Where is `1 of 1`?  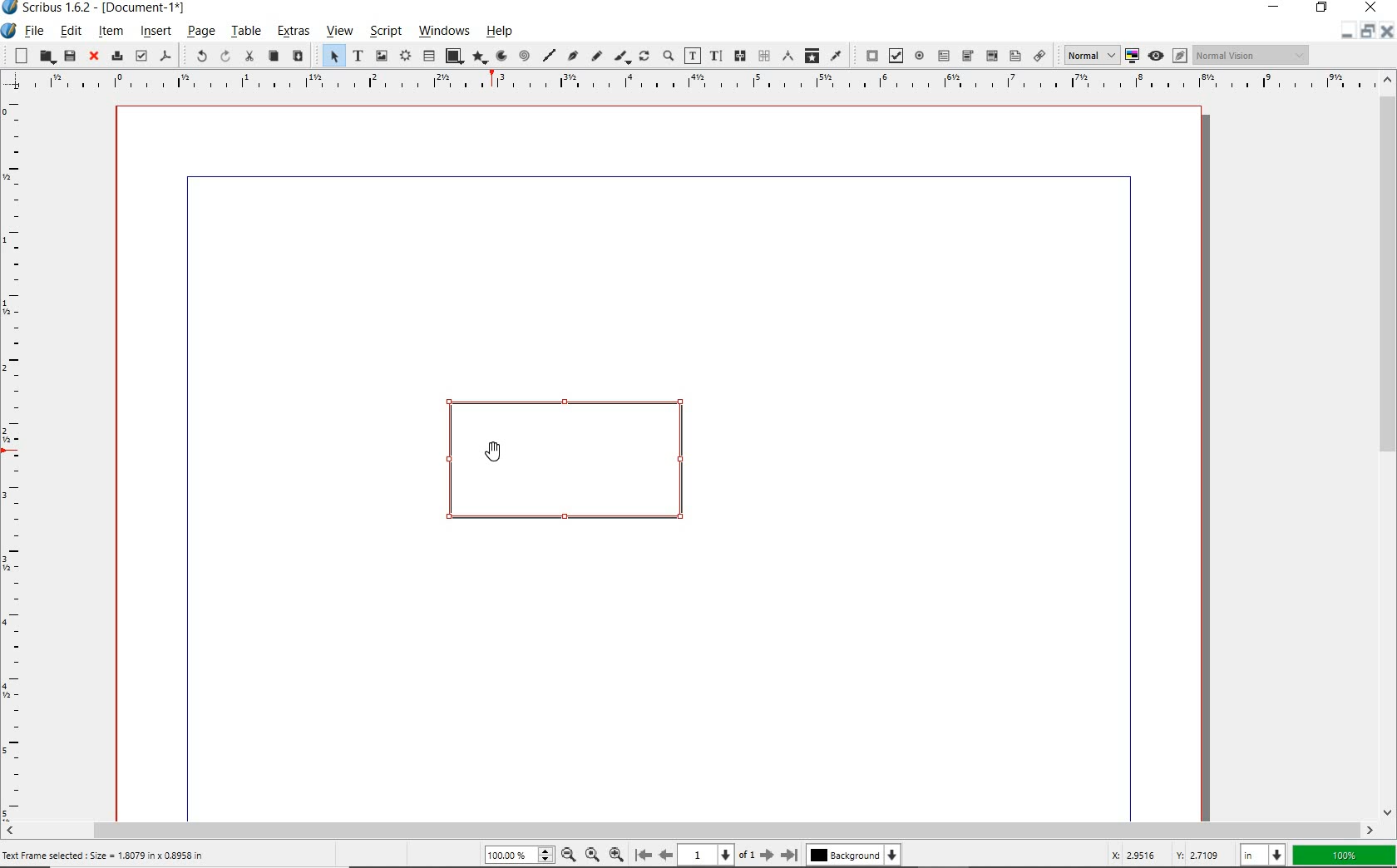
1 of 1 is located at coordinates (719, 856).